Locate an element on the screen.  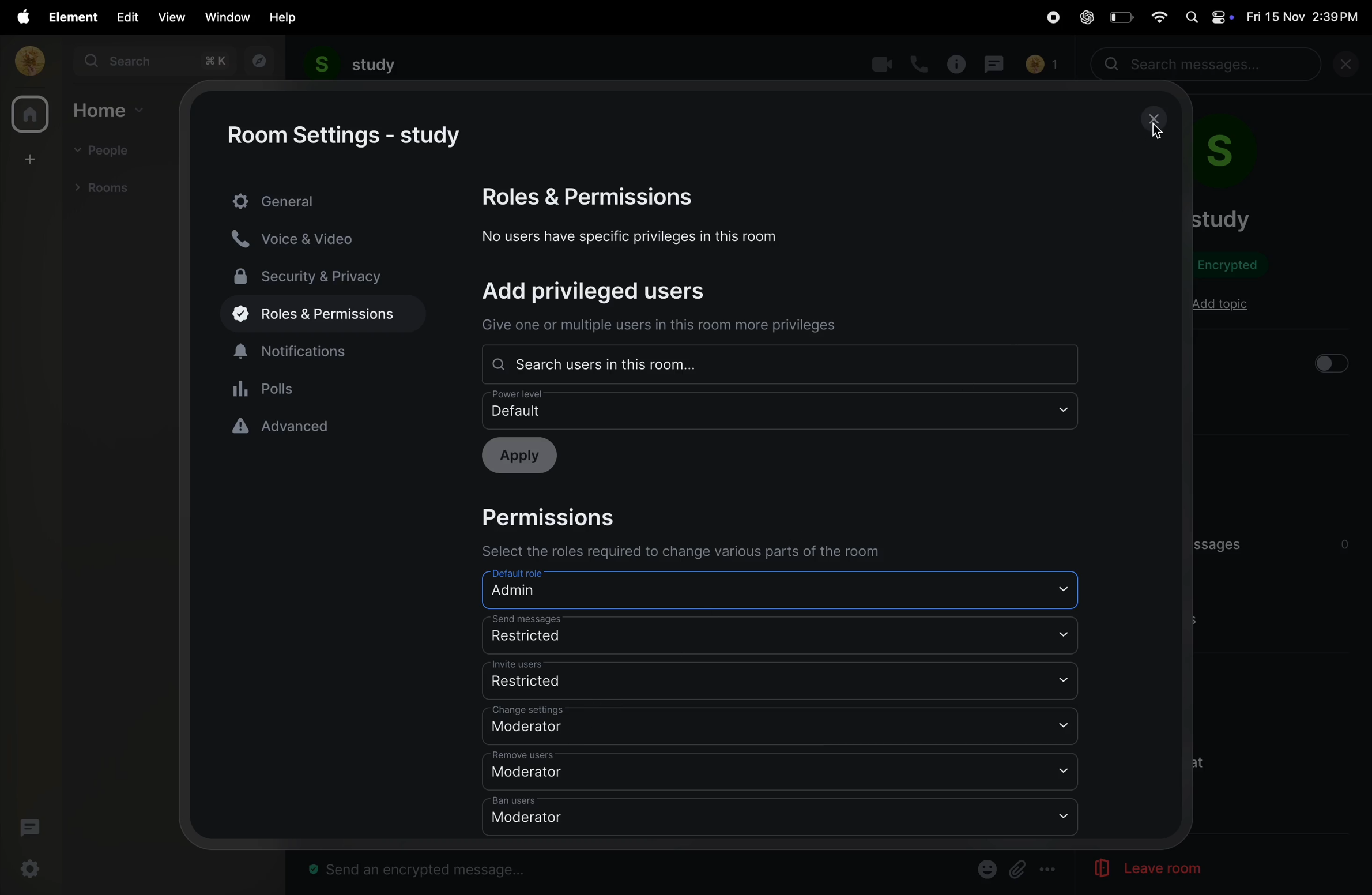
no of people is located at coordinates (1041, 65).